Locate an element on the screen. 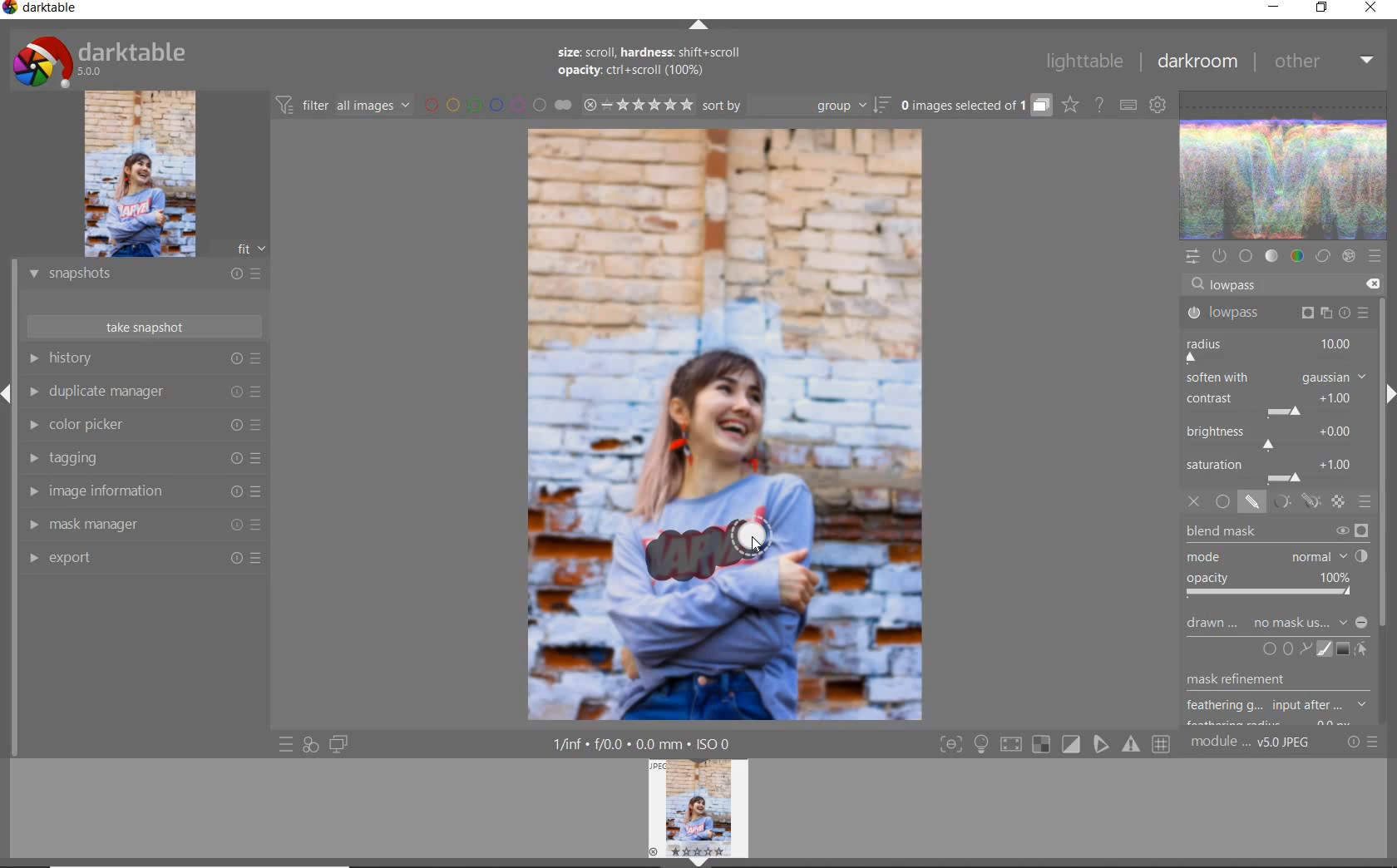 The image size is (1397, 868). export is located at coordinates (146, 558).